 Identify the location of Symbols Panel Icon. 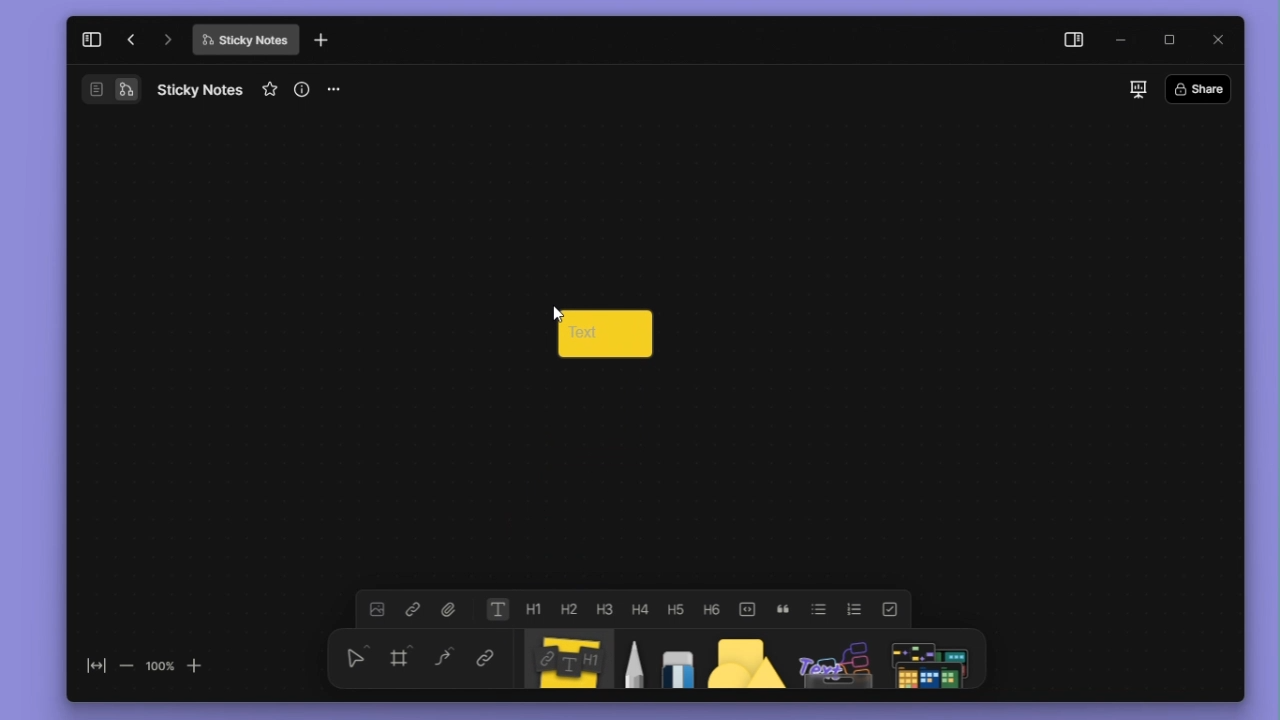
(931, 663).